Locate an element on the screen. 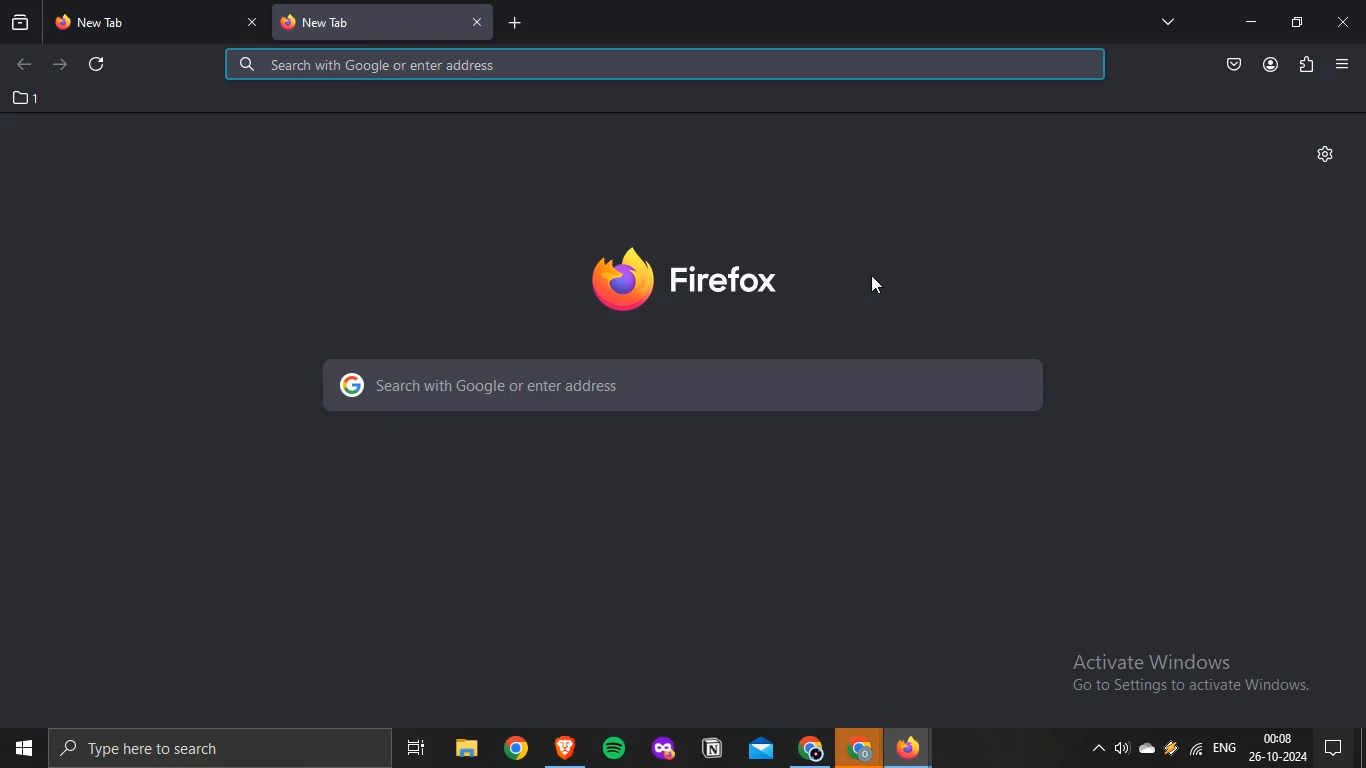 This screenshot has height=768, width=1366. dropdown is located at coordinates (1092, 750).